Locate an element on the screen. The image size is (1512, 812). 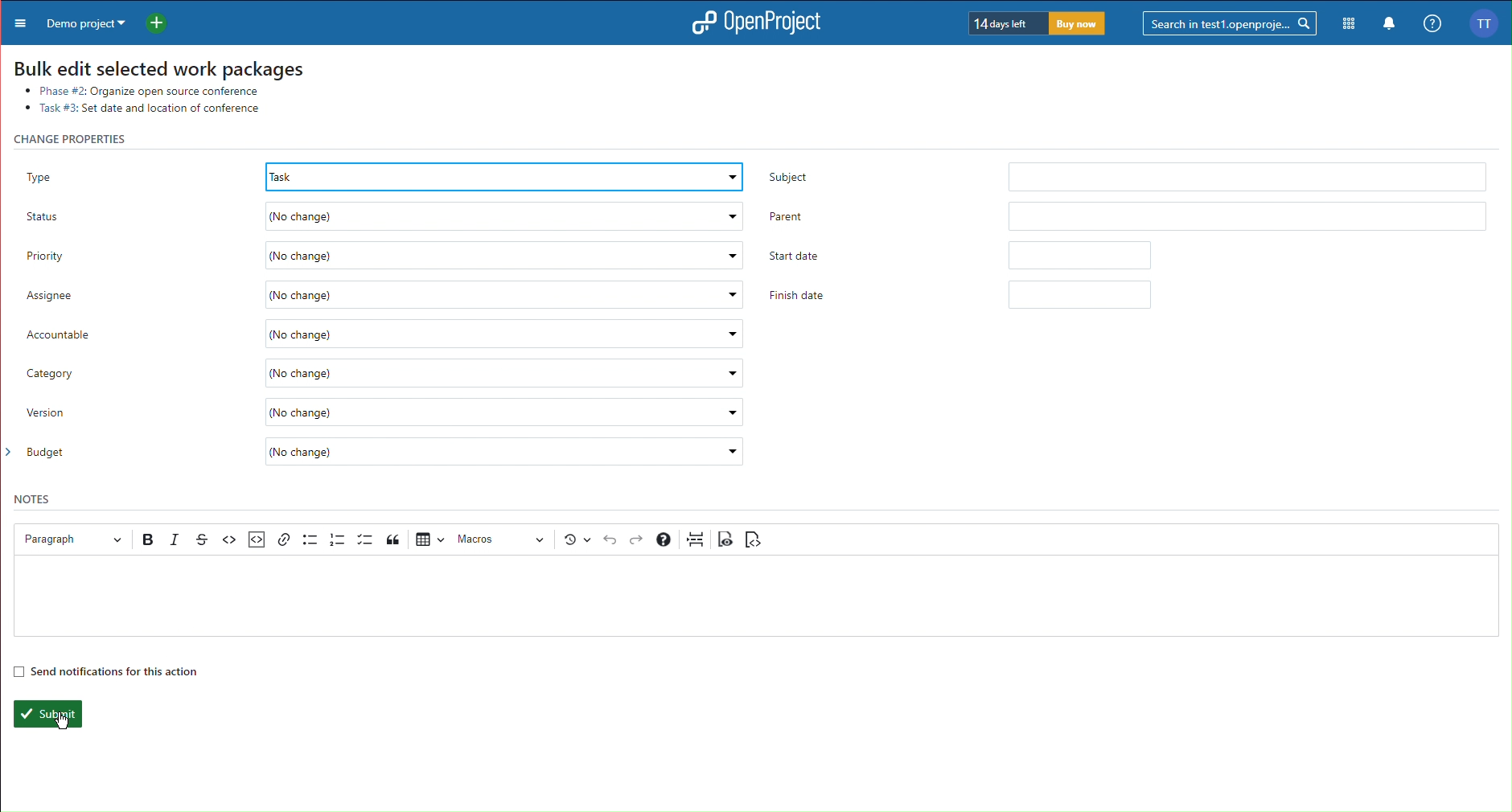
Strikethrough is located at coordinates (202, 539).